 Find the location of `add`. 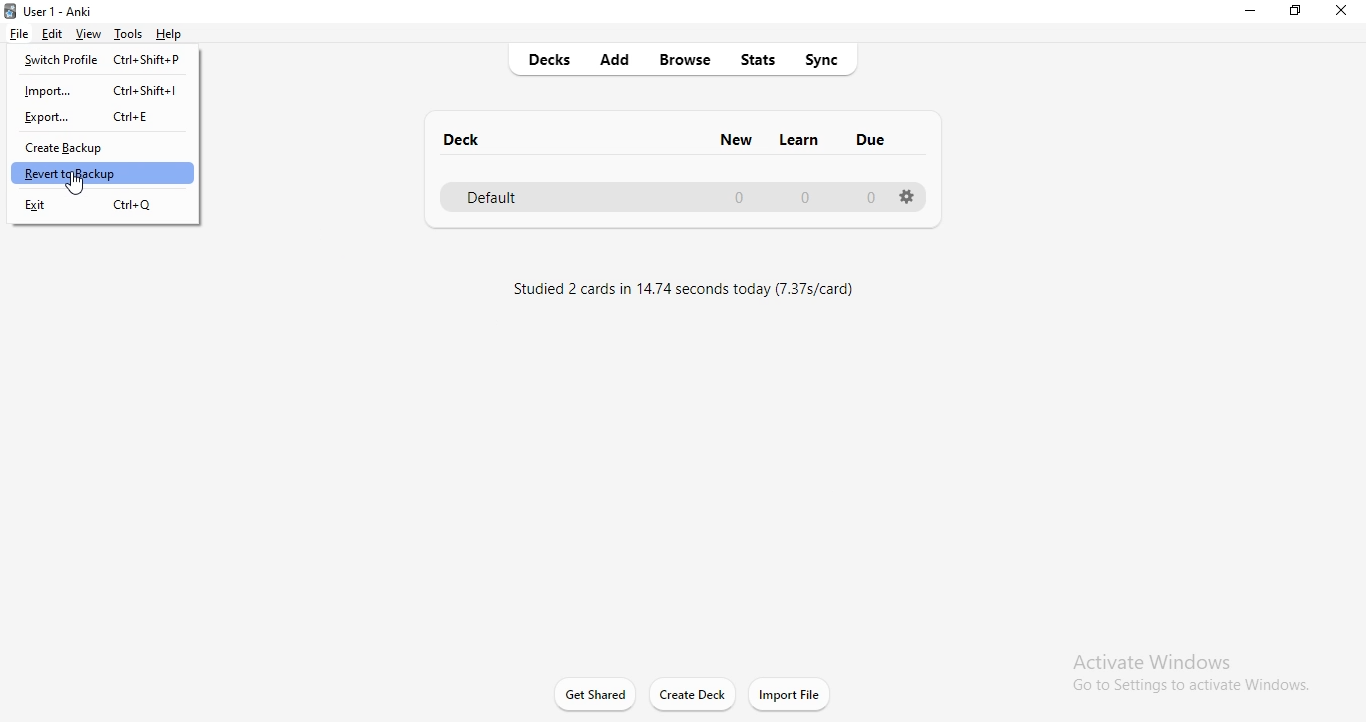

add is located at coordinates (619, 59).